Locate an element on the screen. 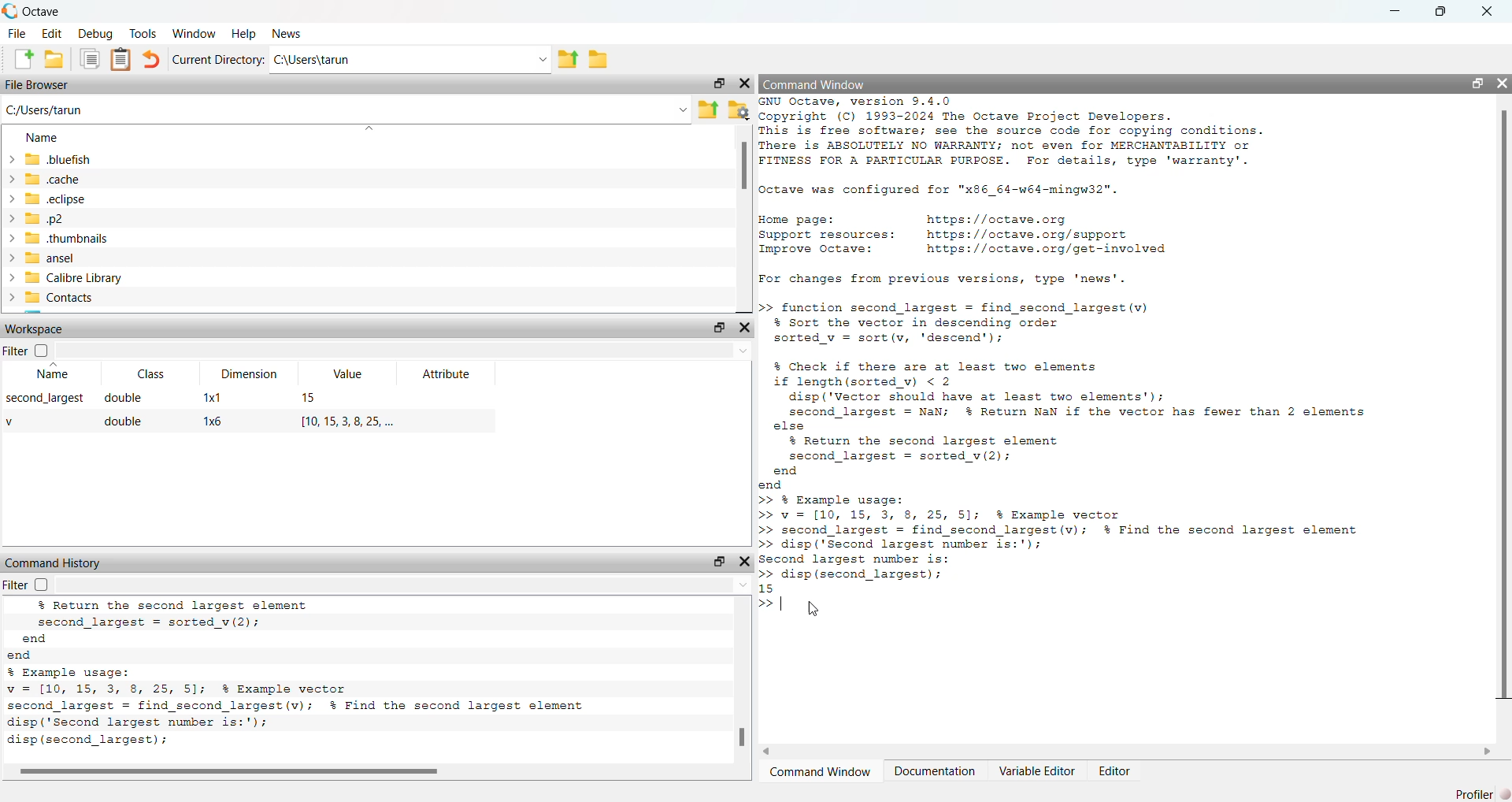 This screenshot has width=1512, height=802. hide widget is located at coordinates (1503, 80).